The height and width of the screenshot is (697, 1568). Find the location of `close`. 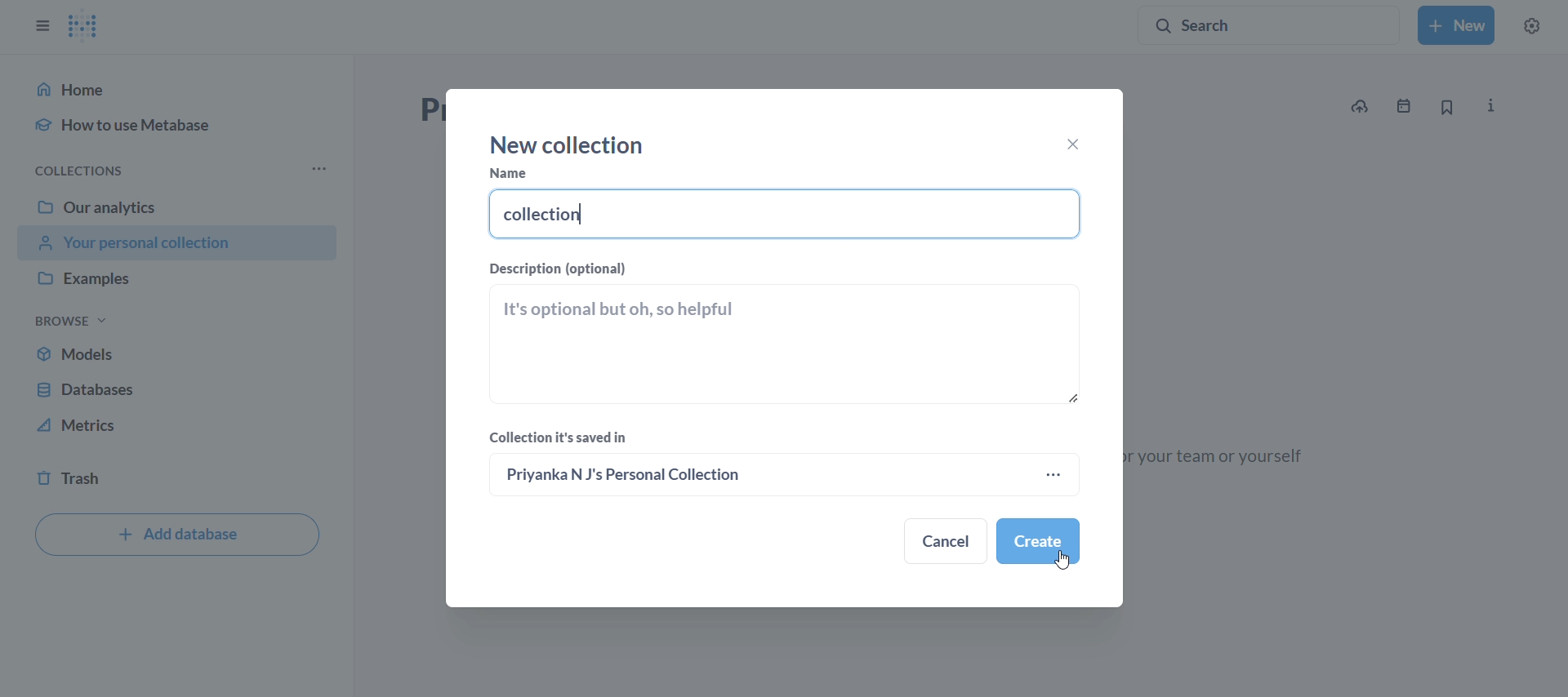

close is located at coordinates (1070, 144).